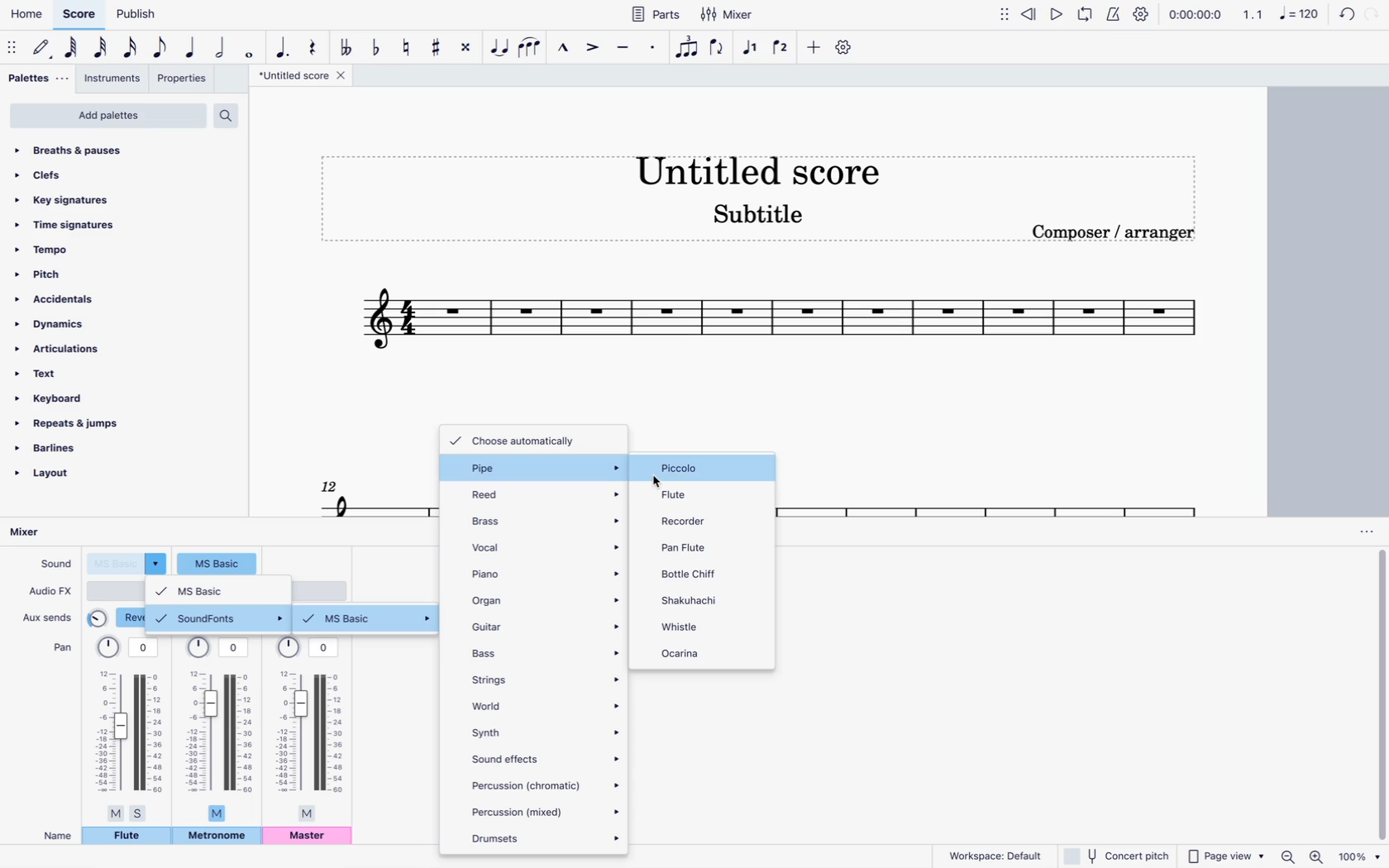  What do you see at coordinates (73, 48) in the screenshot?
I see `64th note` at bounding box center [73, 48].